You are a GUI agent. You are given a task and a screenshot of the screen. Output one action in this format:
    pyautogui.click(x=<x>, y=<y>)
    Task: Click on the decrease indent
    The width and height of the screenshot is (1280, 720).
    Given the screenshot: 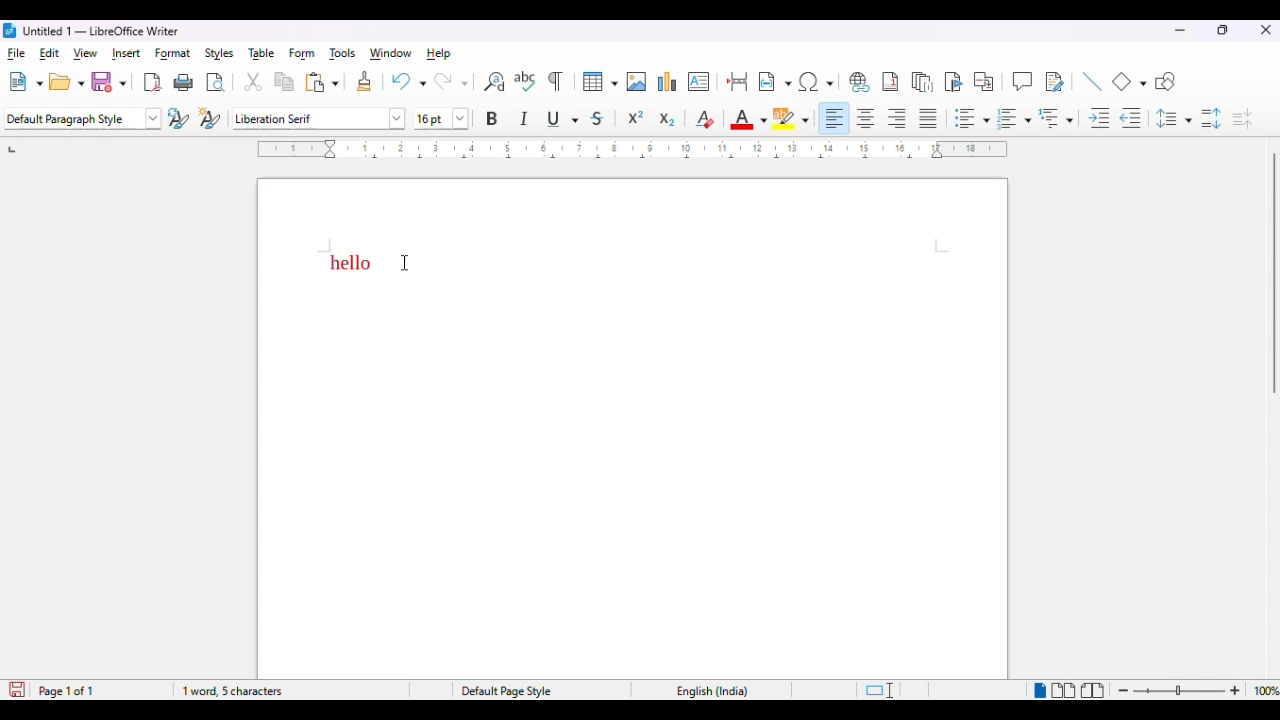 What is the action you would take?
    pyautogui.click(x=1132, y=119)
    